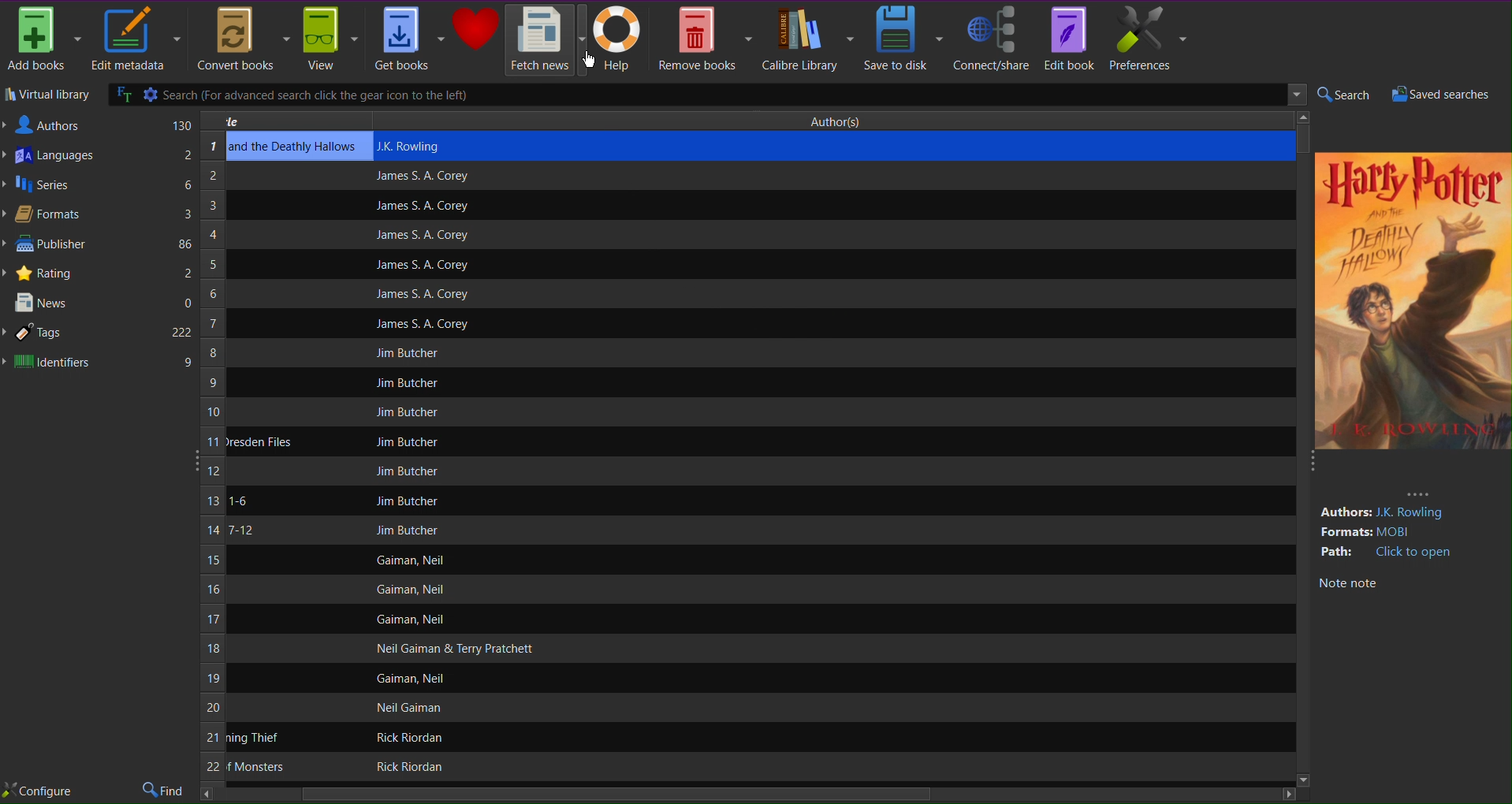  I want to click on Authors :, so click(1344, 512).